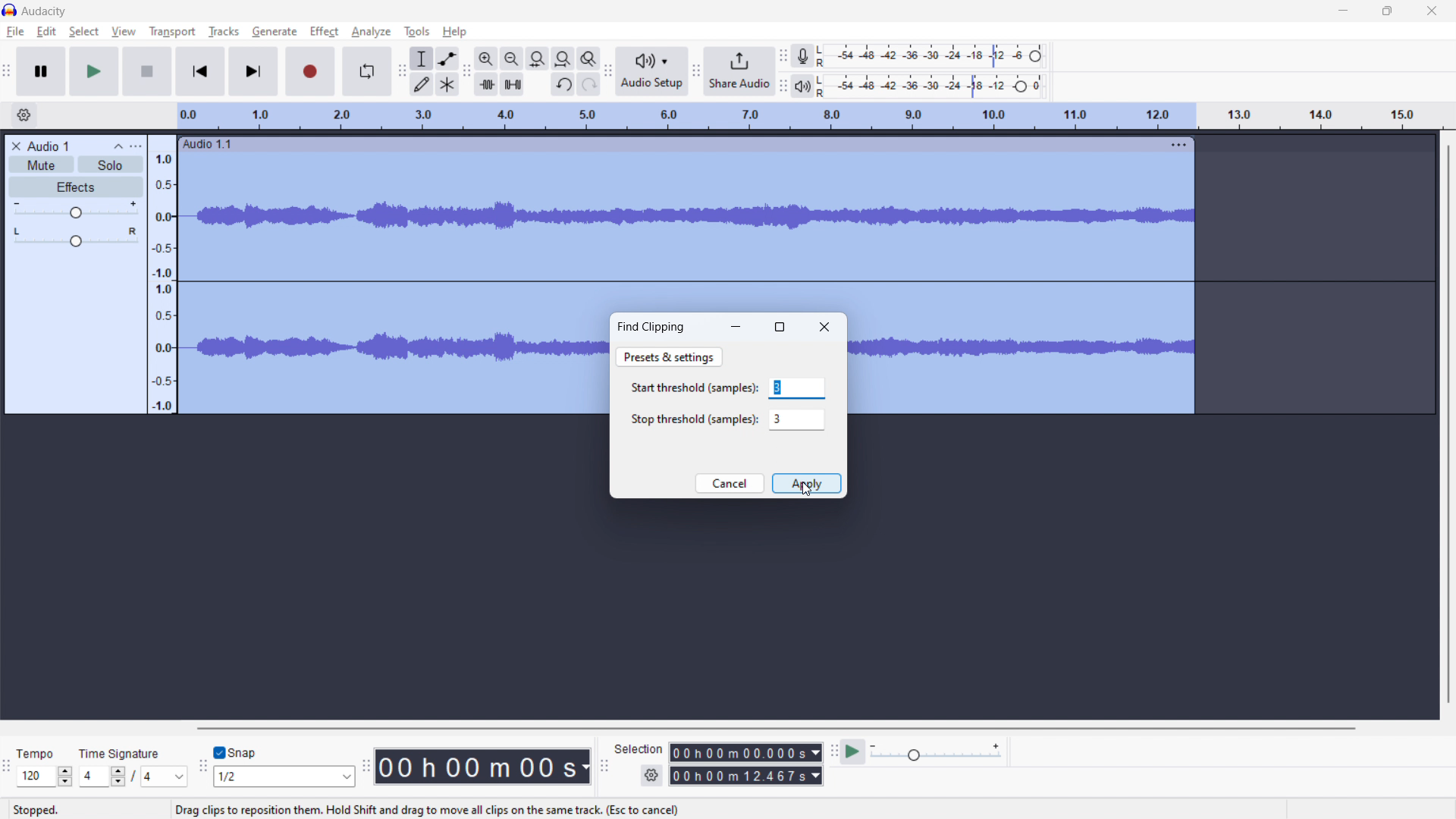  What do you see at coordinates (94, 71) in the screenshot?
I see `play` at bounding box center [94, 71].